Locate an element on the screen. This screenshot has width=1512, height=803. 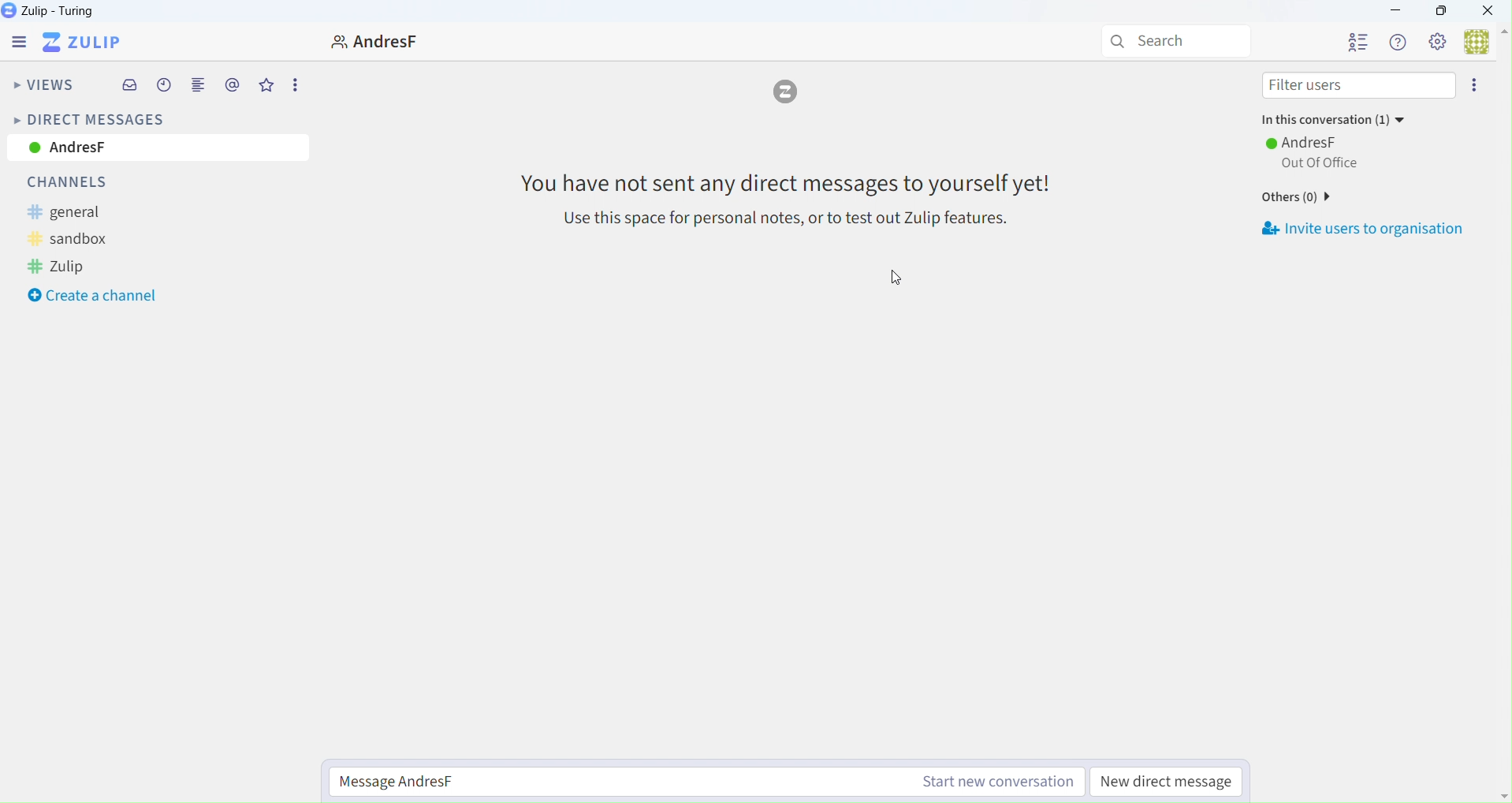
AFTER_LAST_ACTION is located at coordinates (1331, 164).